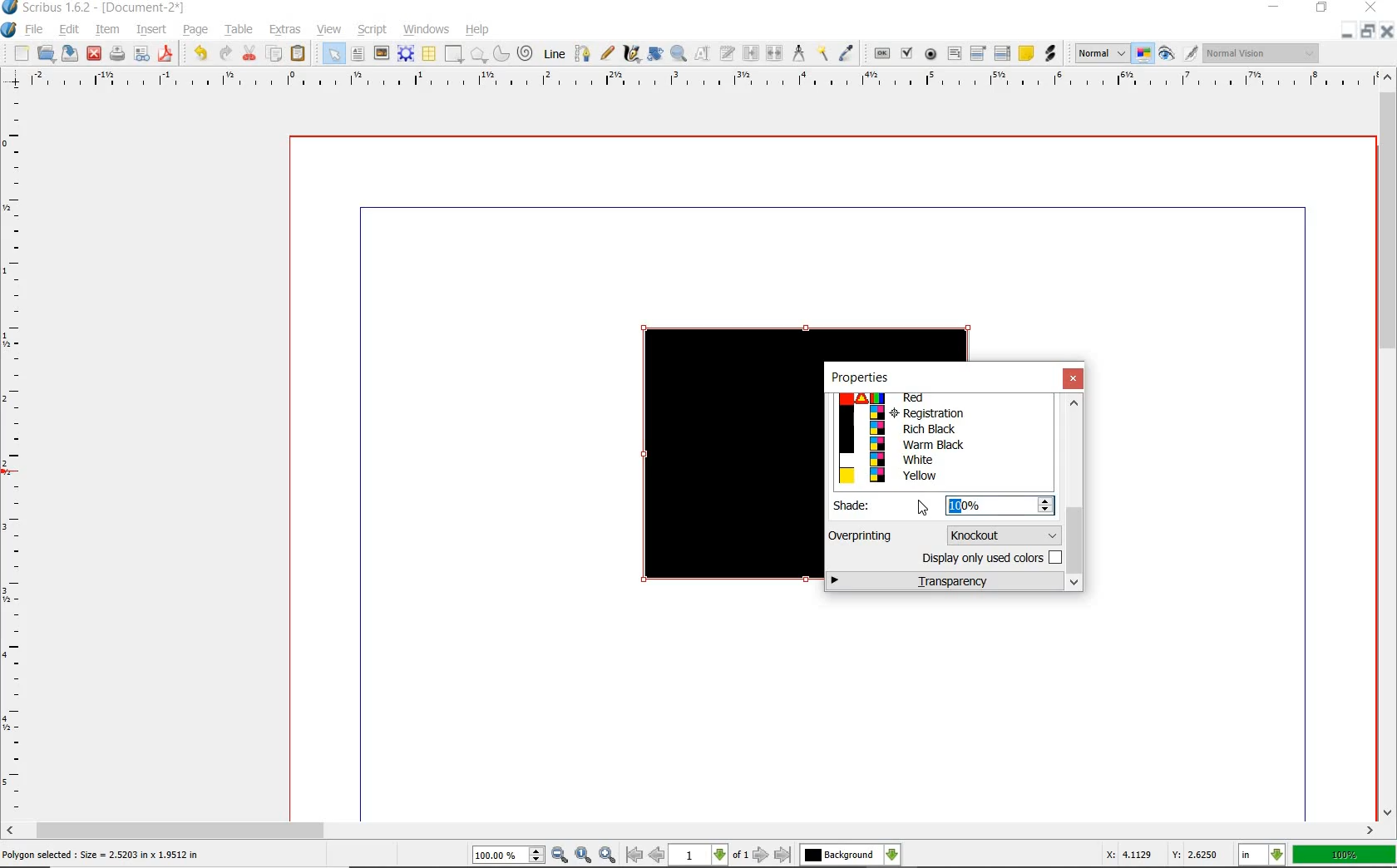 This screenshot has height=868, width=1397. What do you see at coordinates (1026, 53) in the screenshot?
I see `text annotation` at bounding box center [1026, 53].